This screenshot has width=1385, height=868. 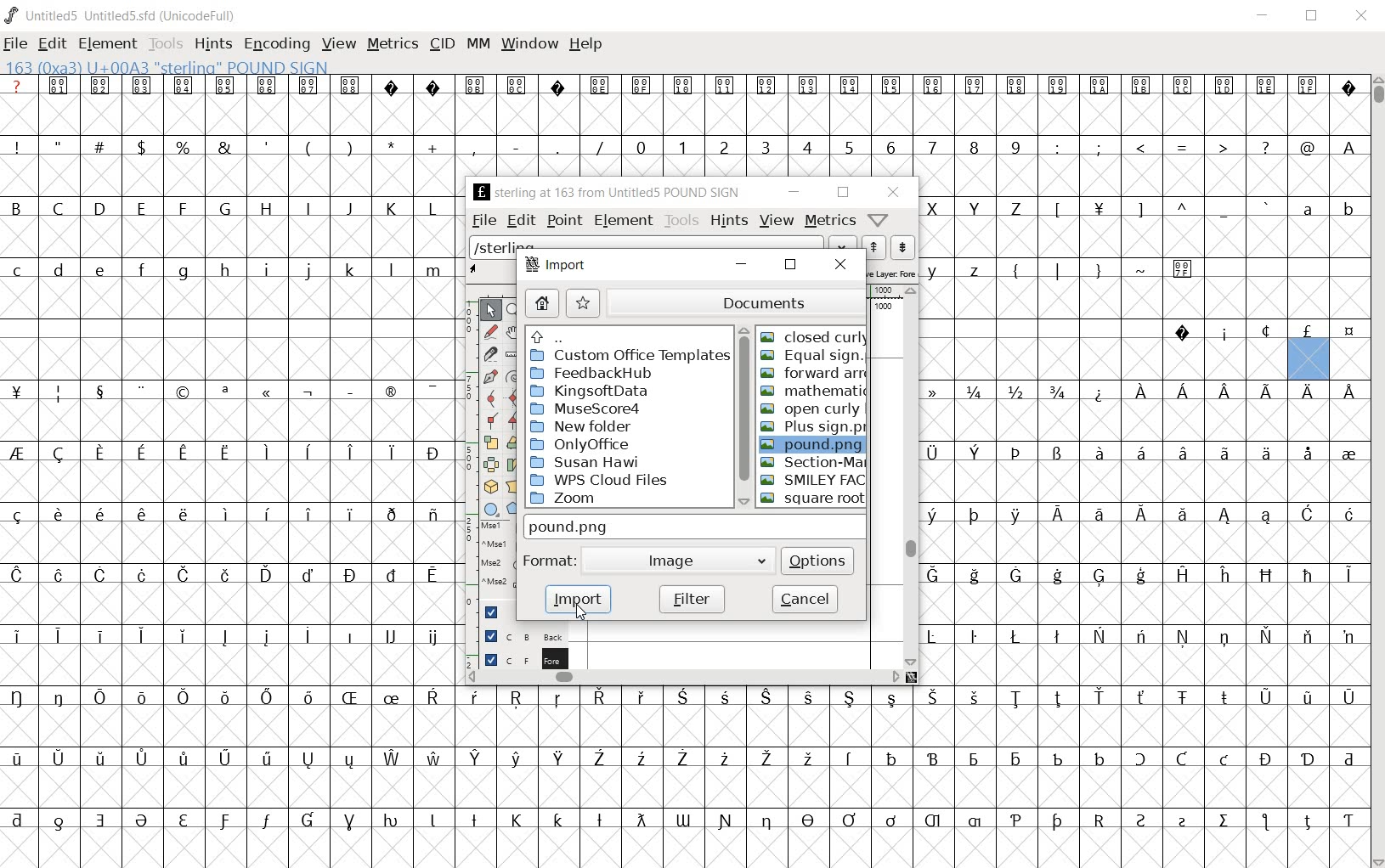 I want to click on Symbol, so click(x=267, y=696).